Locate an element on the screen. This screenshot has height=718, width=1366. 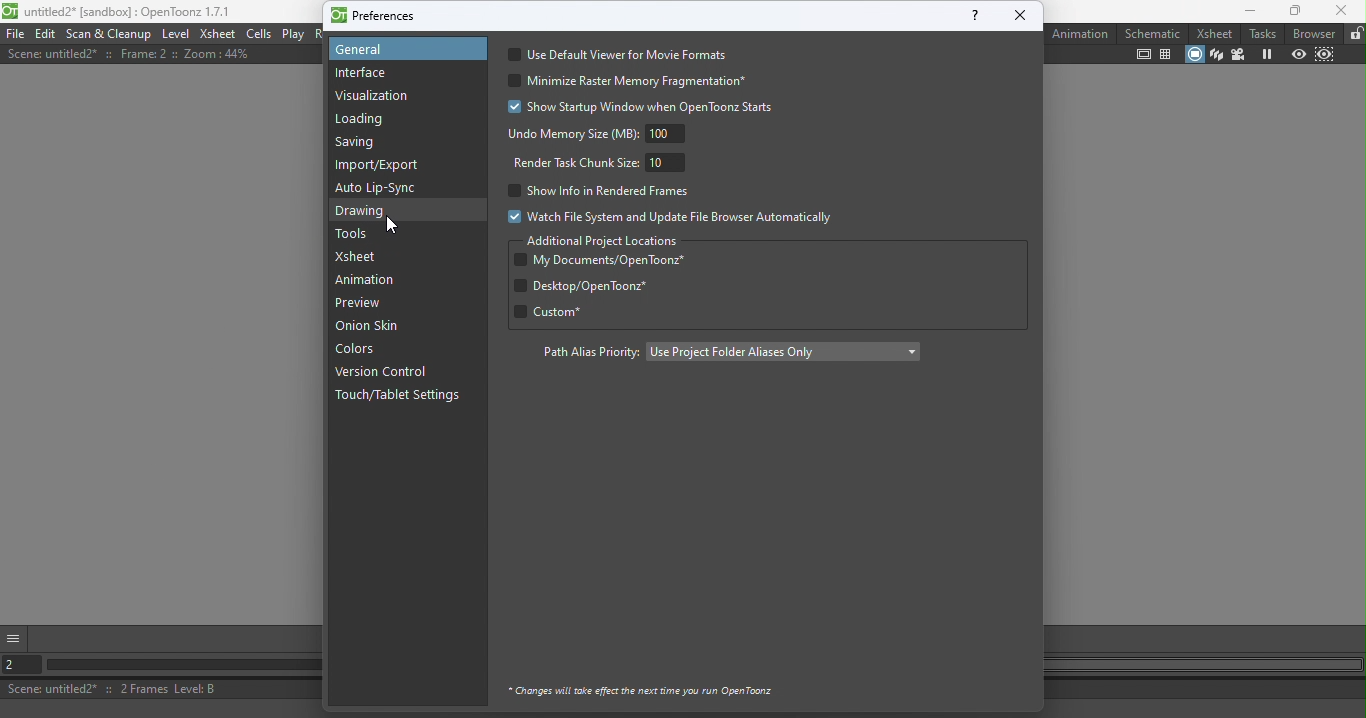
Interface is located at coordinates (360, 73).